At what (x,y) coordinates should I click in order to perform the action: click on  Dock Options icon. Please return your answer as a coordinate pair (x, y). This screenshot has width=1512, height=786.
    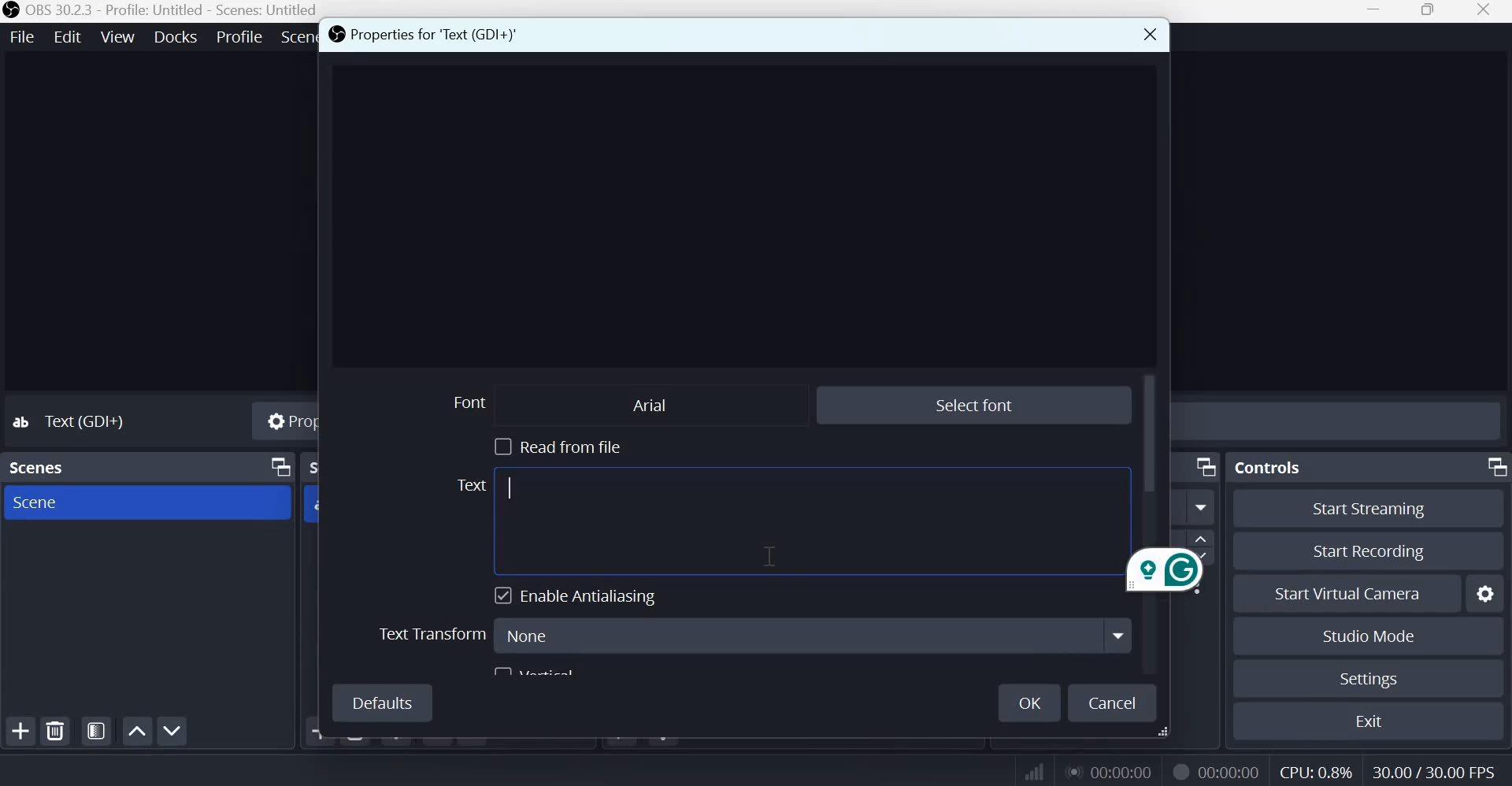
    Looking at the image, I should click on (1493, 466).